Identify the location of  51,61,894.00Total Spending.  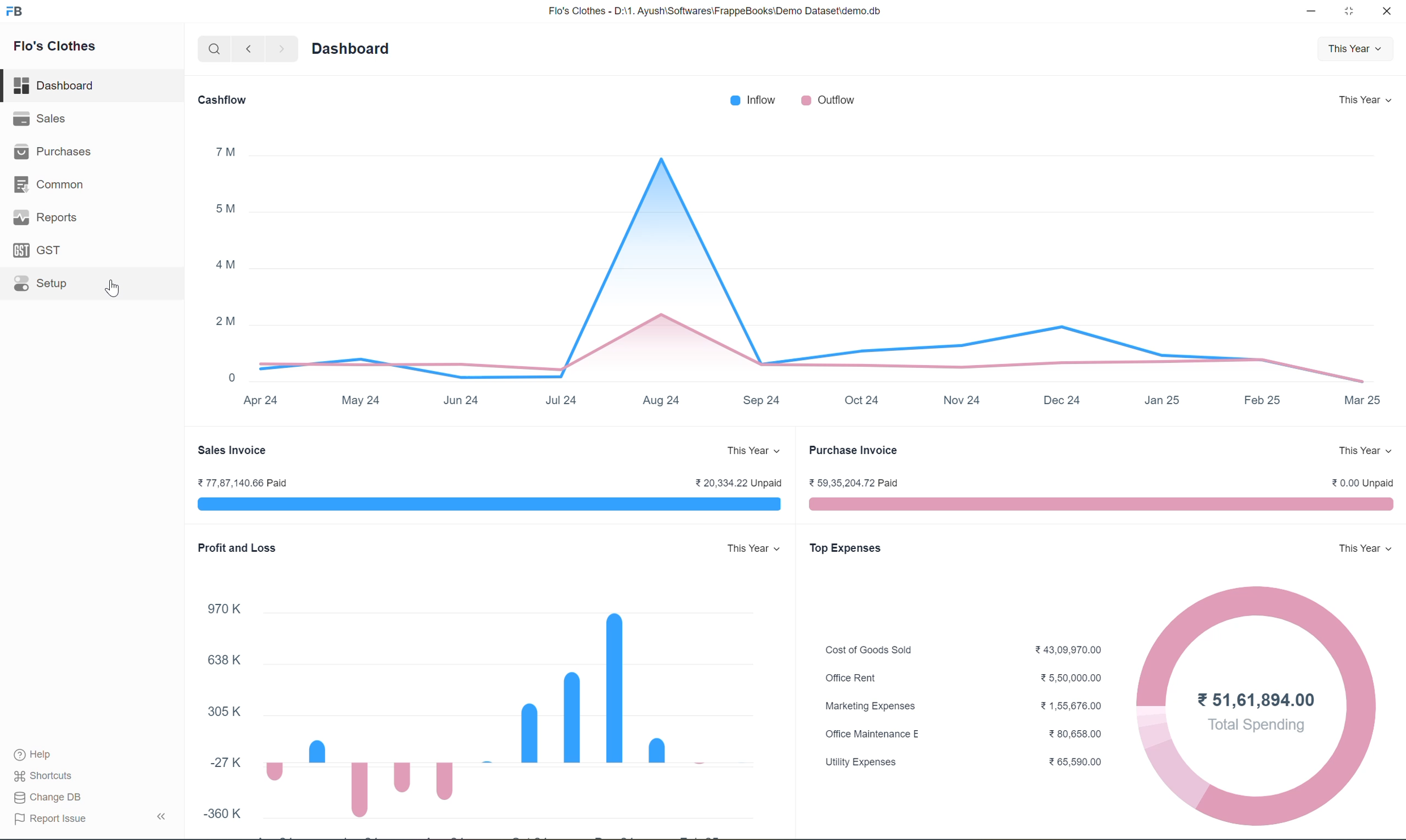
(1259, 712).